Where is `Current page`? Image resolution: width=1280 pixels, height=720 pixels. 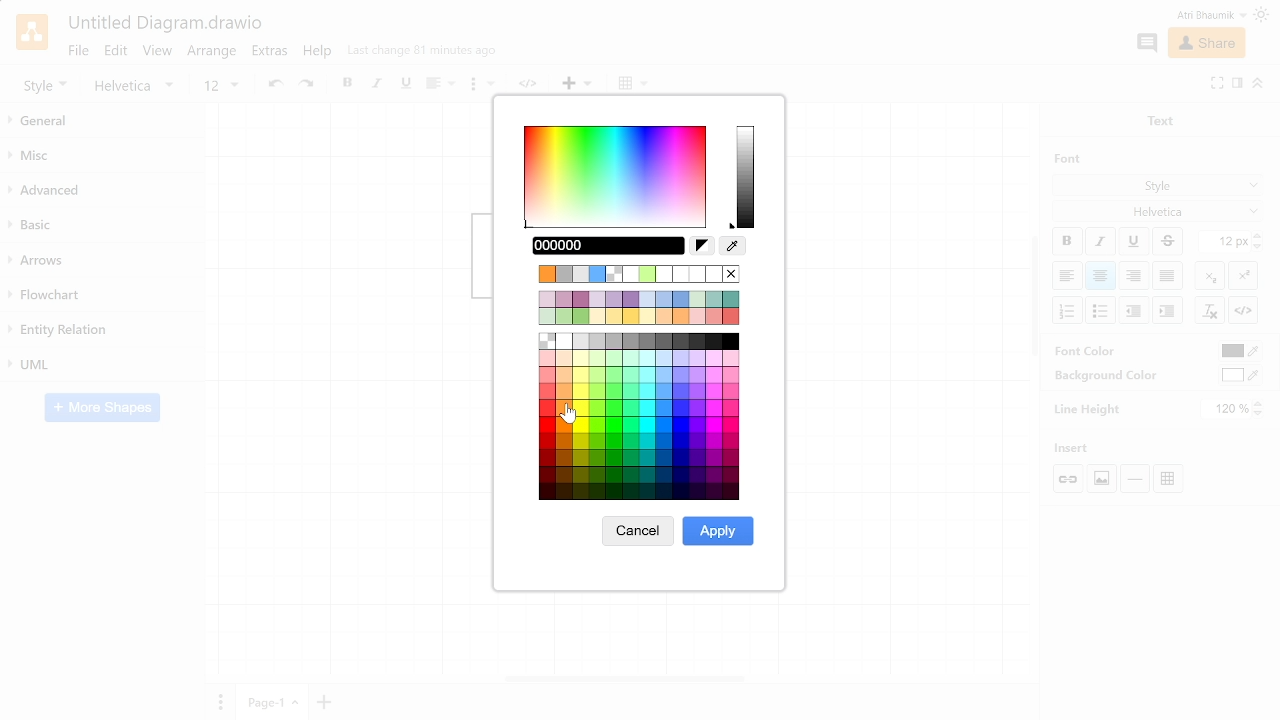 Current page is located at coordinates (273, 702).